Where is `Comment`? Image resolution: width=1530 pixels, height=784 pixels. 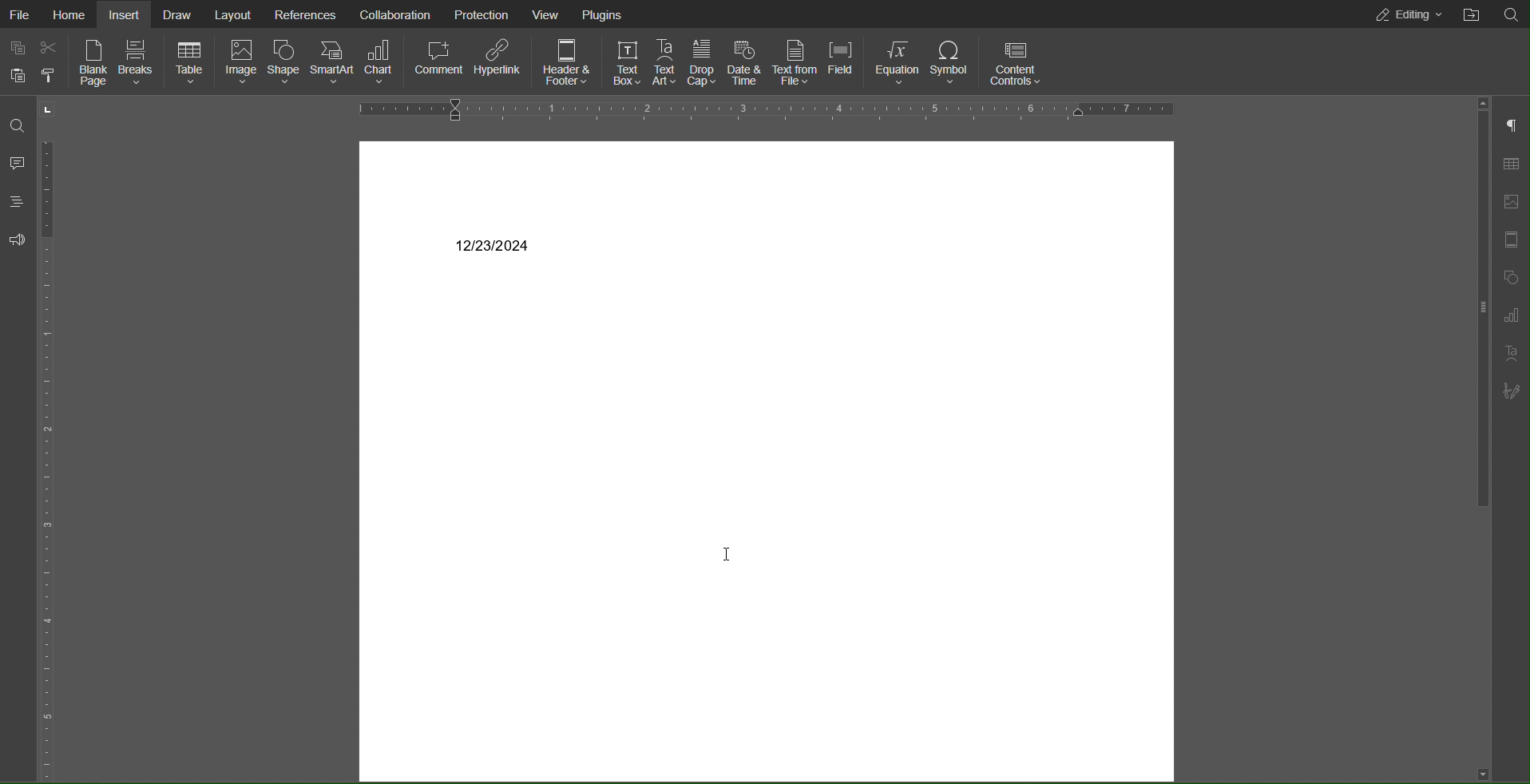
Comment is located at coordinates (442, 61).